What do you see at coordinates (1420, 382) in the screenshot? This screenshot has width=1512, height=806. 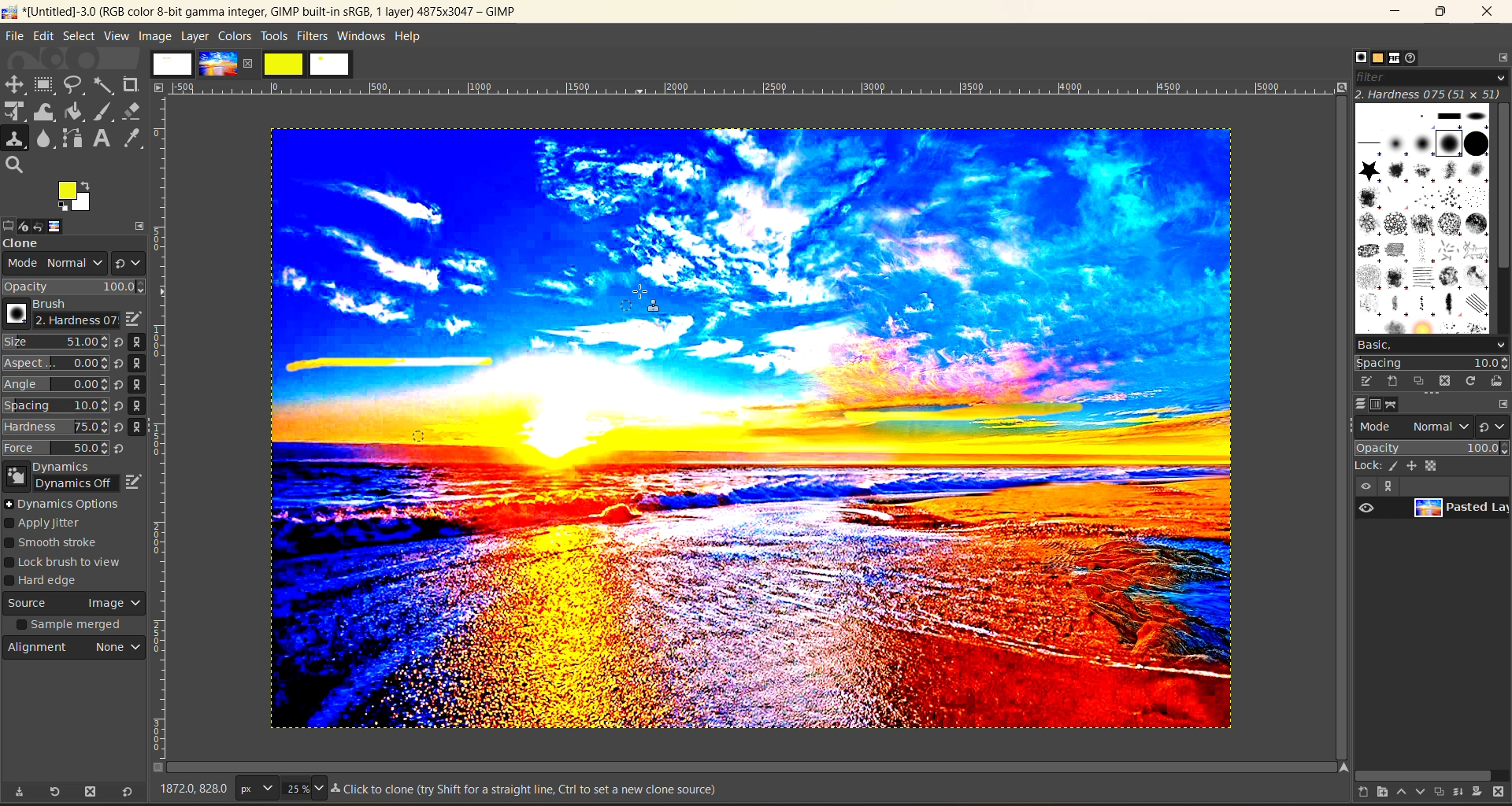 I see `duplicate this brush` at bounding box center [1420, 382].